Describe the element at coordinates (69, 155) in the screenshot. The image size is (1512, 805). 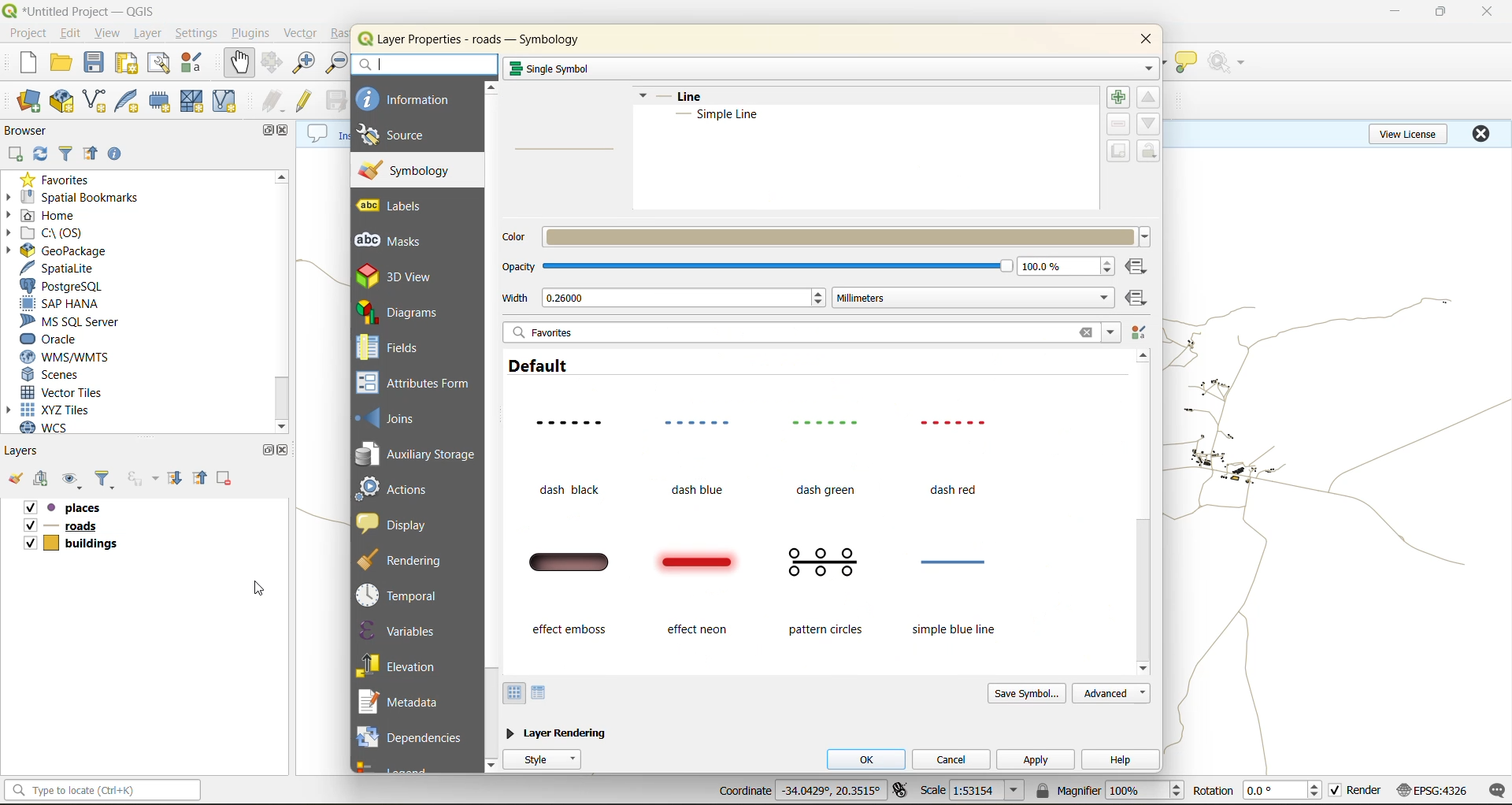
I see `filter` at that location.